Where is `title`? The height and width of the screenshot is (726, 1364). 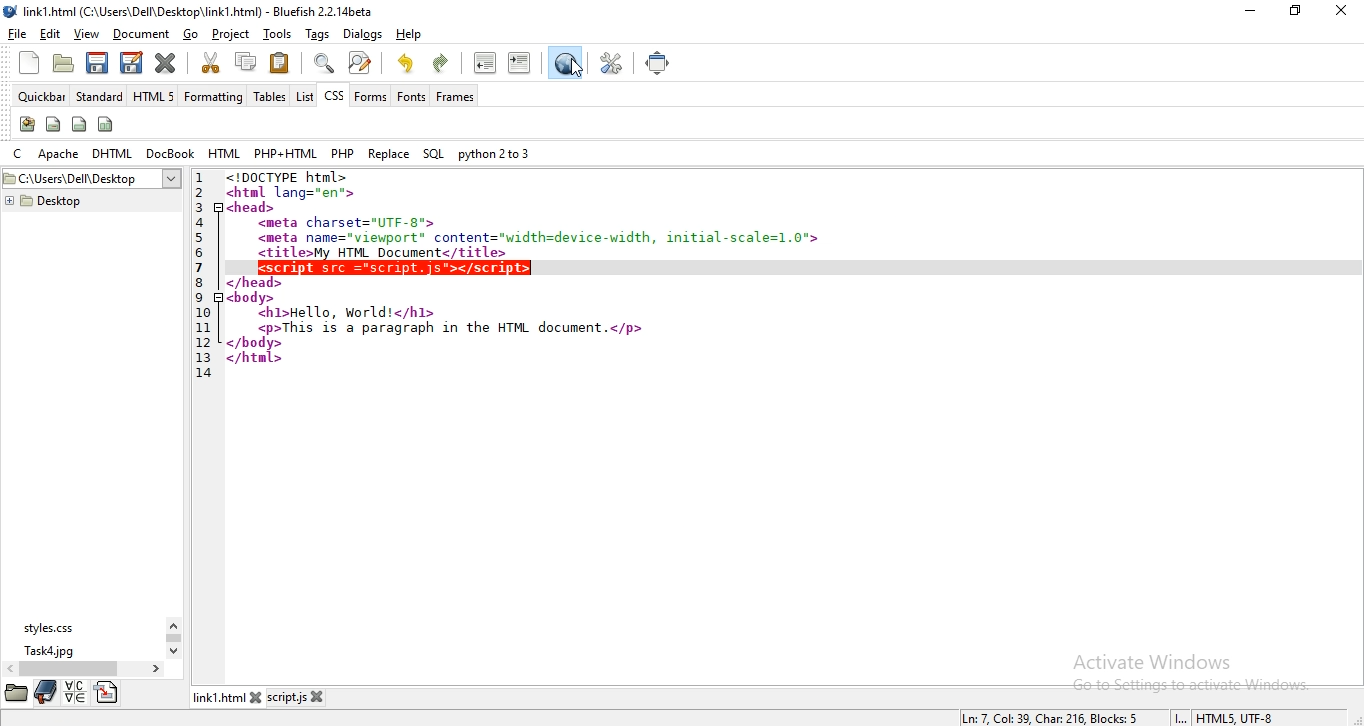
title is located at coordinates (202, 11).